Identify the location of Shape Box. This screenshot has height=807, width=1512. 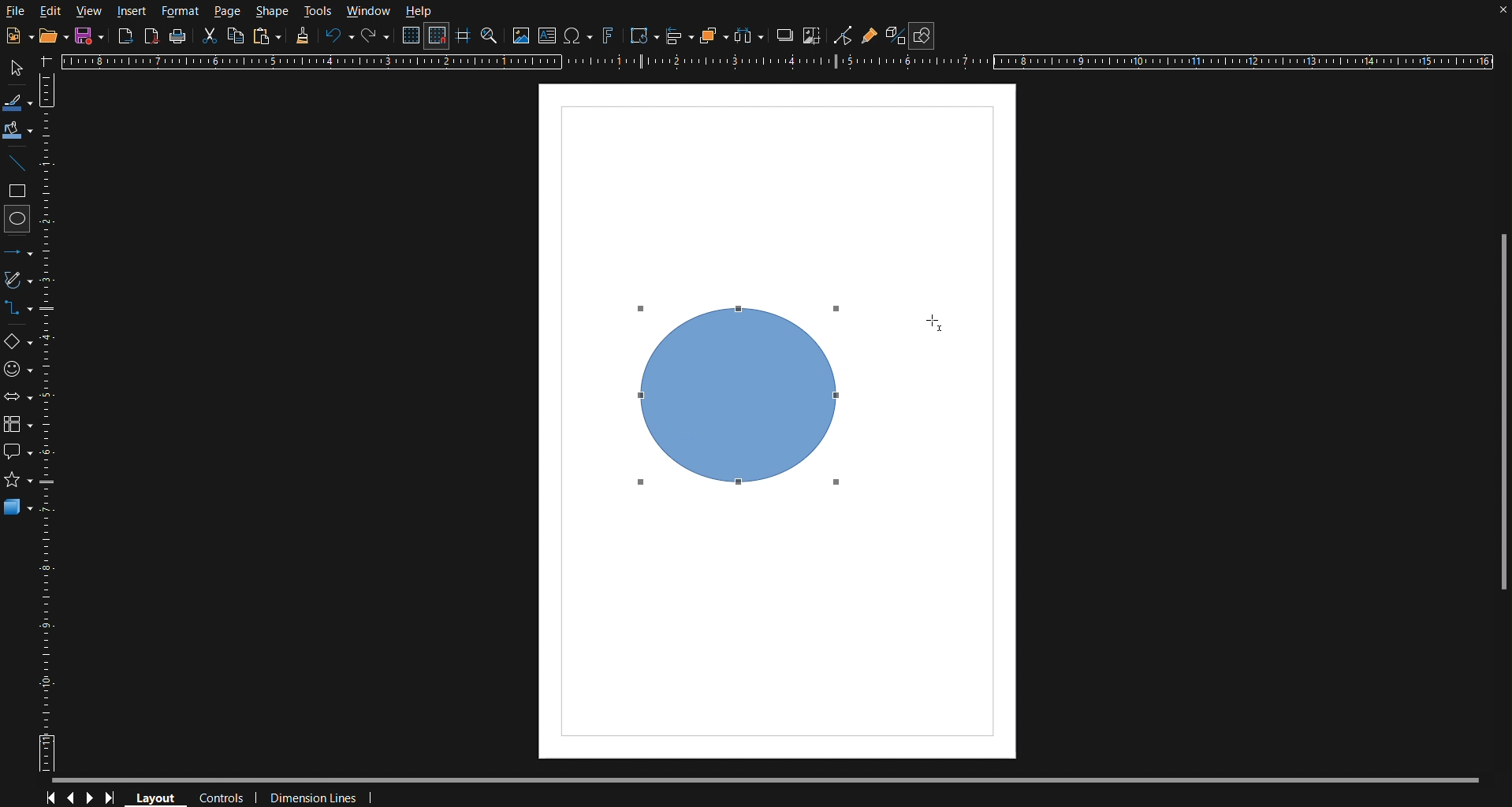
(735, 401).